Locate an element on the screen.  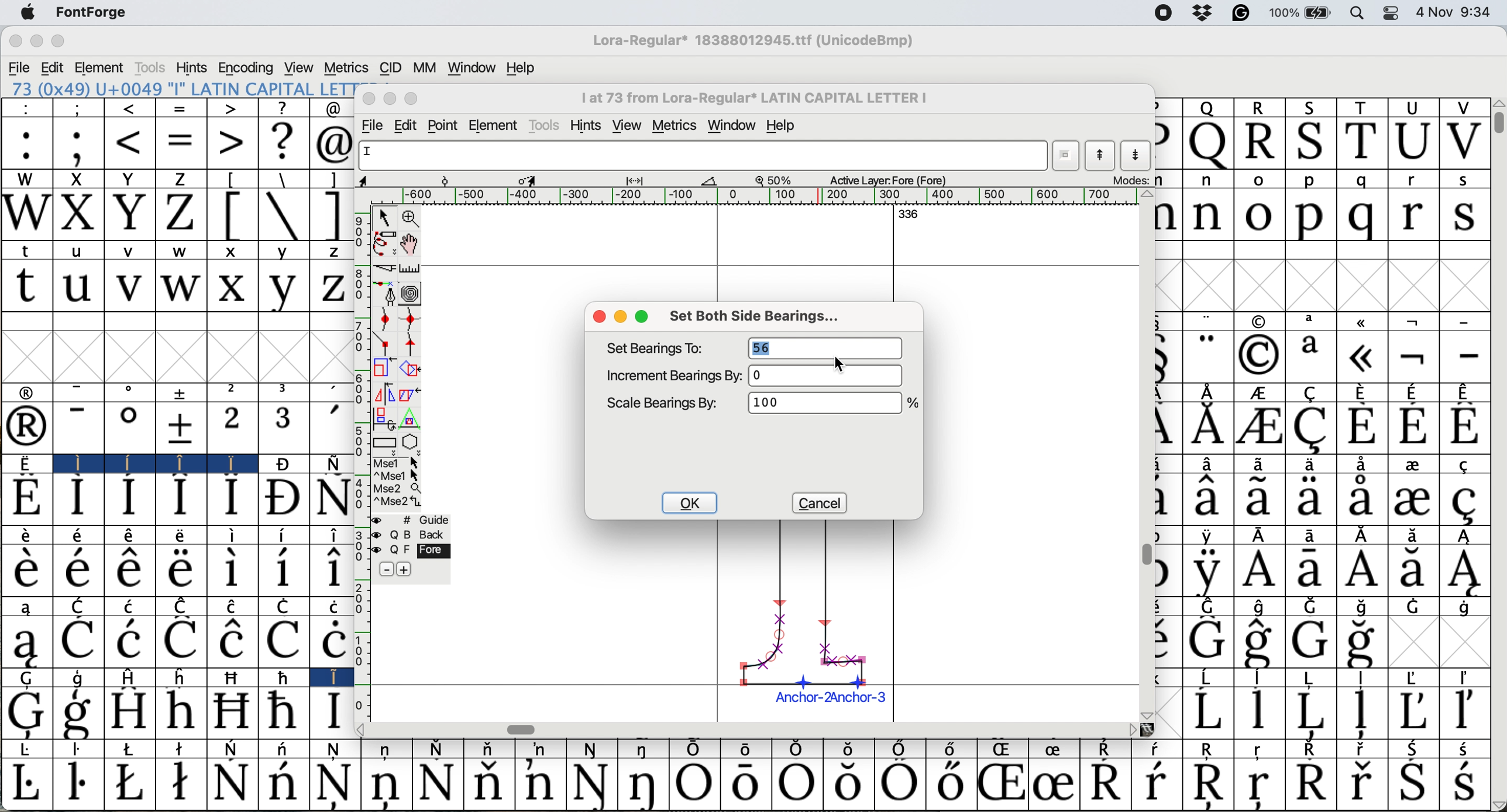
Symbol is located at coordinates (1466, 536).